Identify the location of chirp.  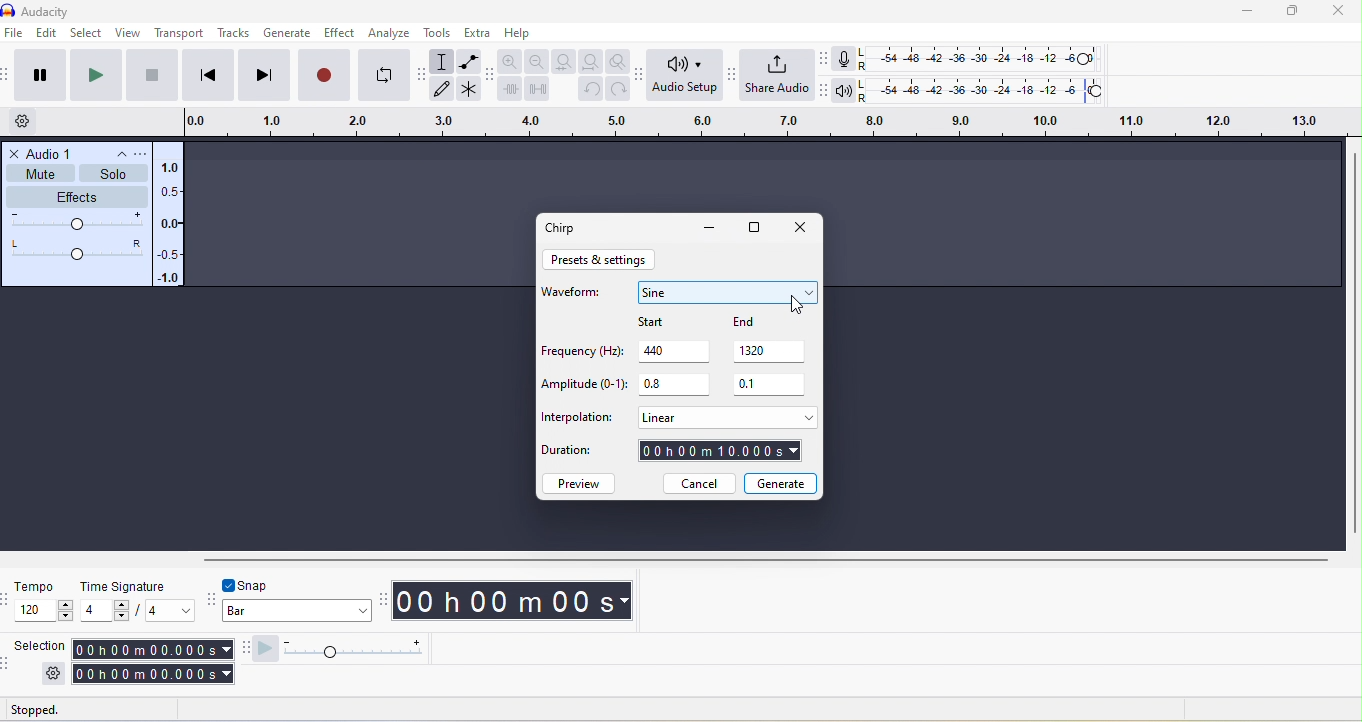
(565, 227).